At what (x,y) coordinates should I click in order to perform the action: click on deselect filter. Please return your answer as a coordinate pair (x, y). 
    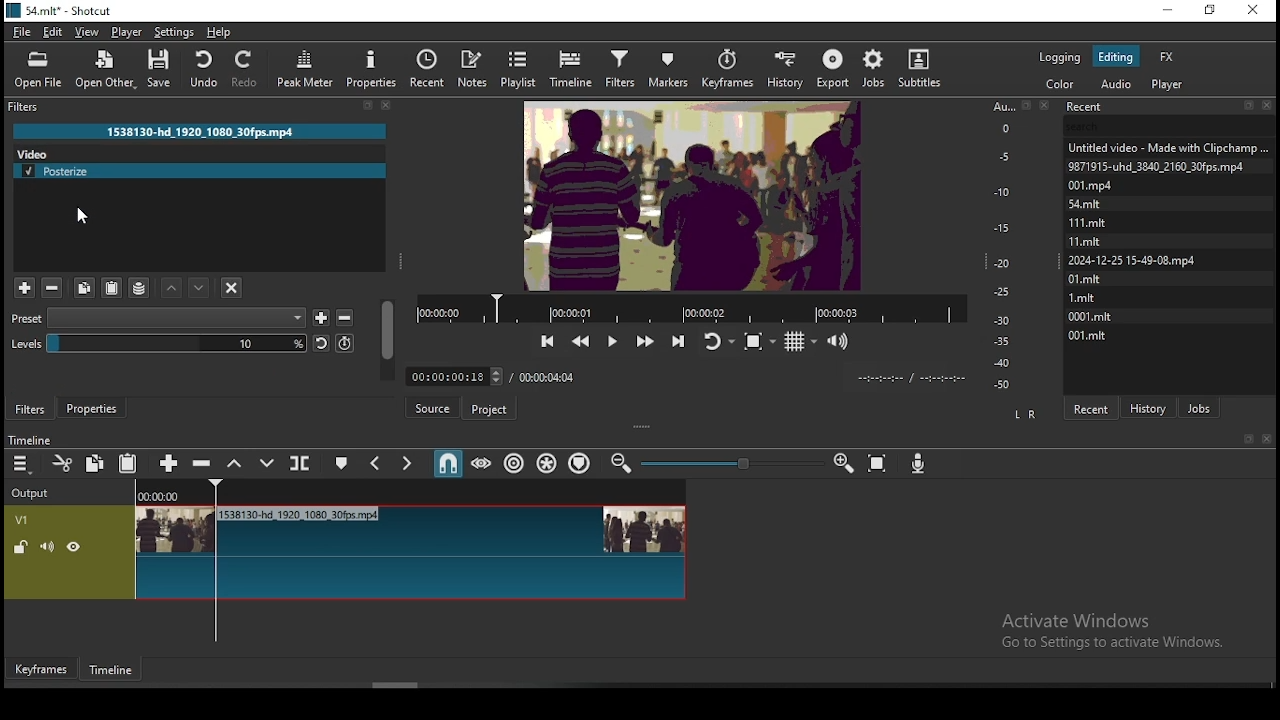
    Looking at the image, I should click on (232, 286).